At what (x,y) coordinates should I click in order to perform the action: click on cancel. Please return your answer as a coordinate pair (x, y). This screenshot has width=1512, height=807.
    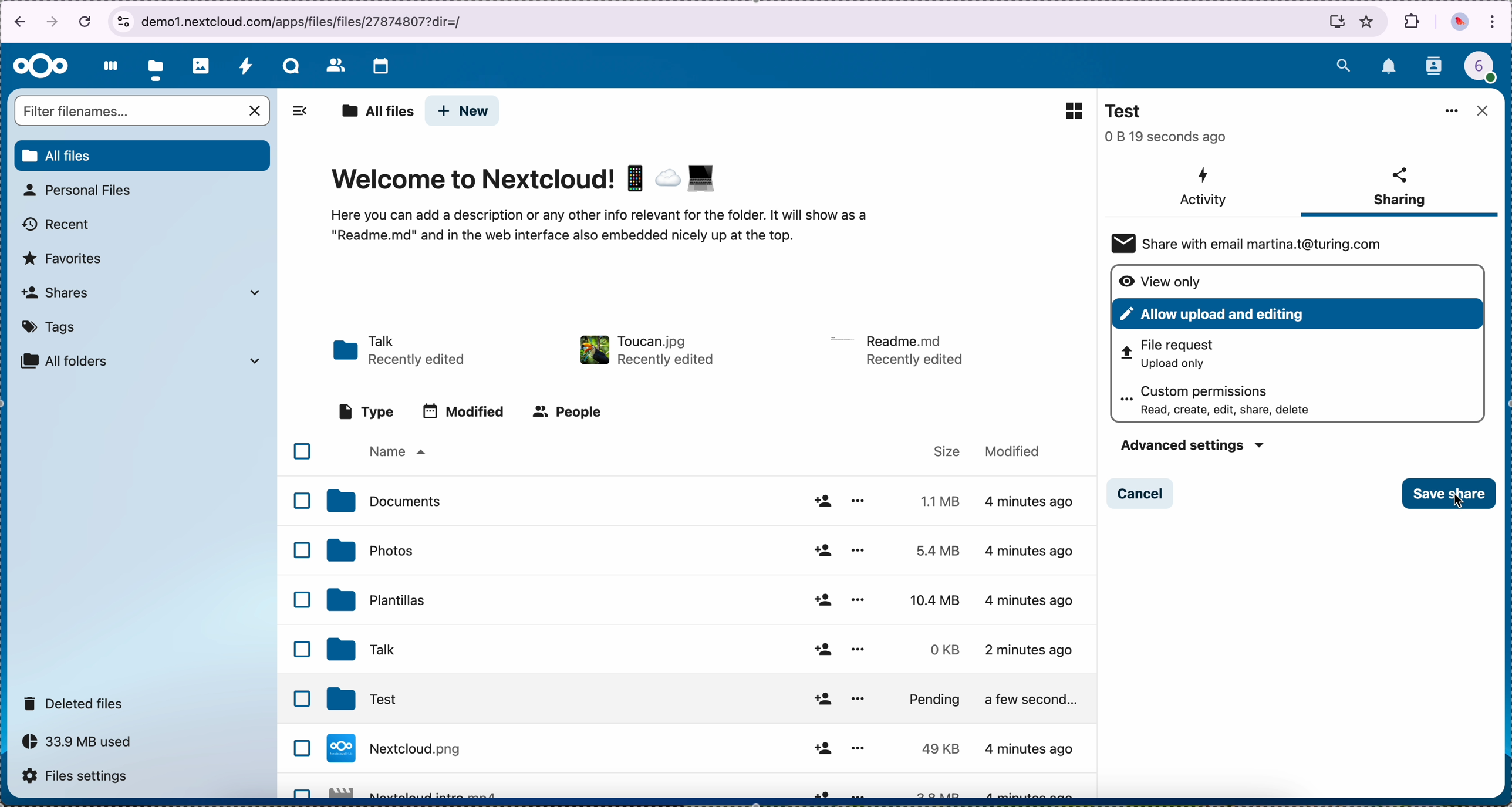
    Looking at the image, I should click on (87, 21).